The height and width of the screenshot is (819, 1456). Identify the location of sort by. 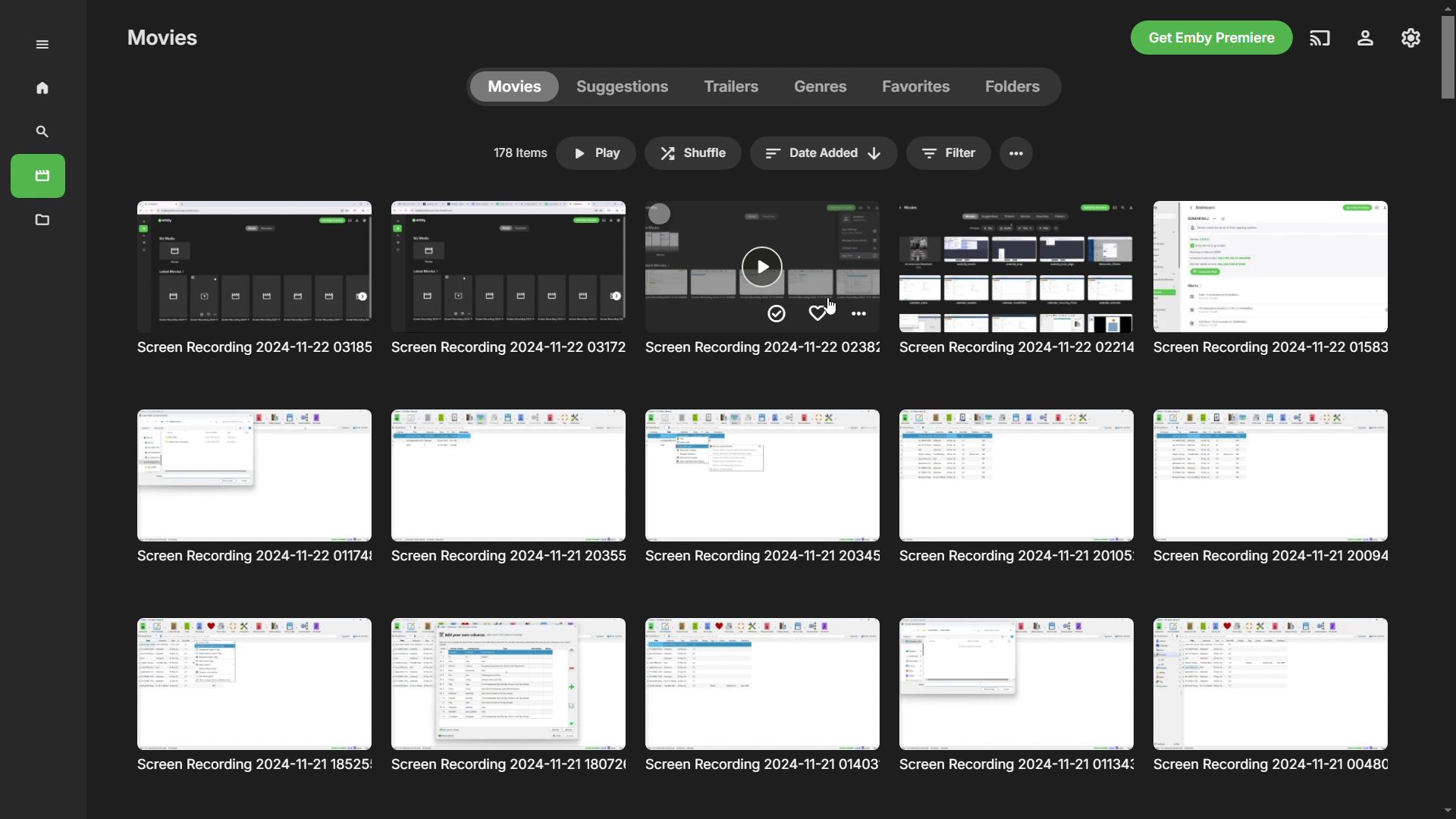
(821, 155).